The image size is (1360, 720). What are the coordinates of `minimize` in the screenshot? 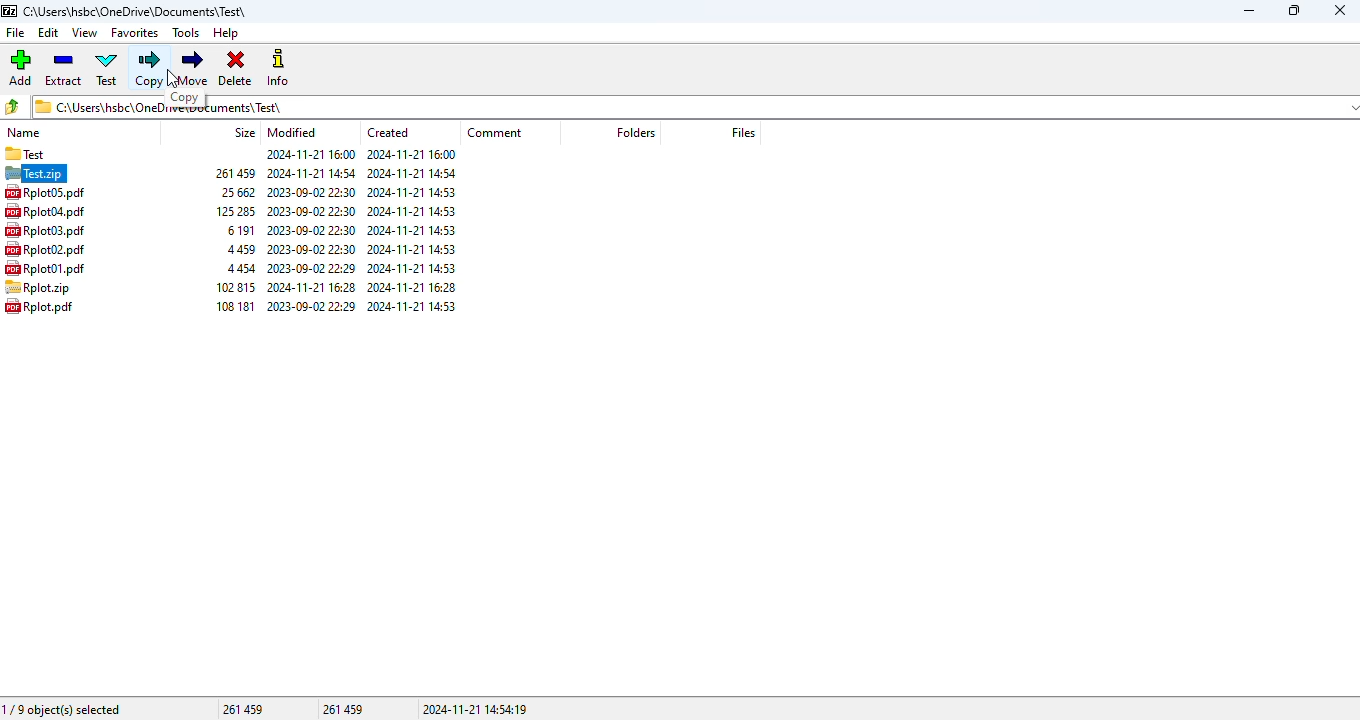 It's located at (1247, 11).